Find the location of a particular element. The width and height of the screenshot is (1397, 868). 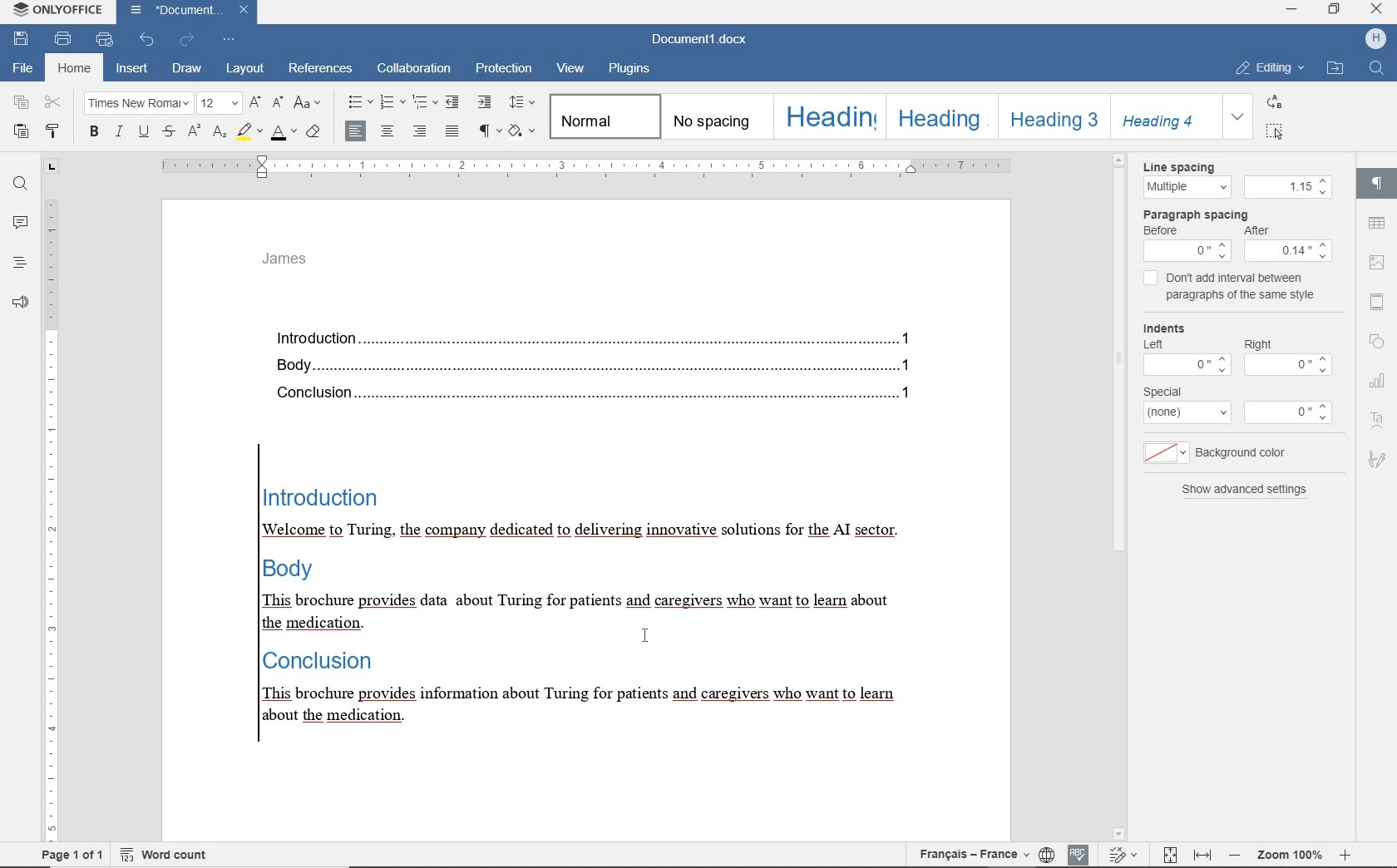

increase indent is located at coordinates (485, 103).